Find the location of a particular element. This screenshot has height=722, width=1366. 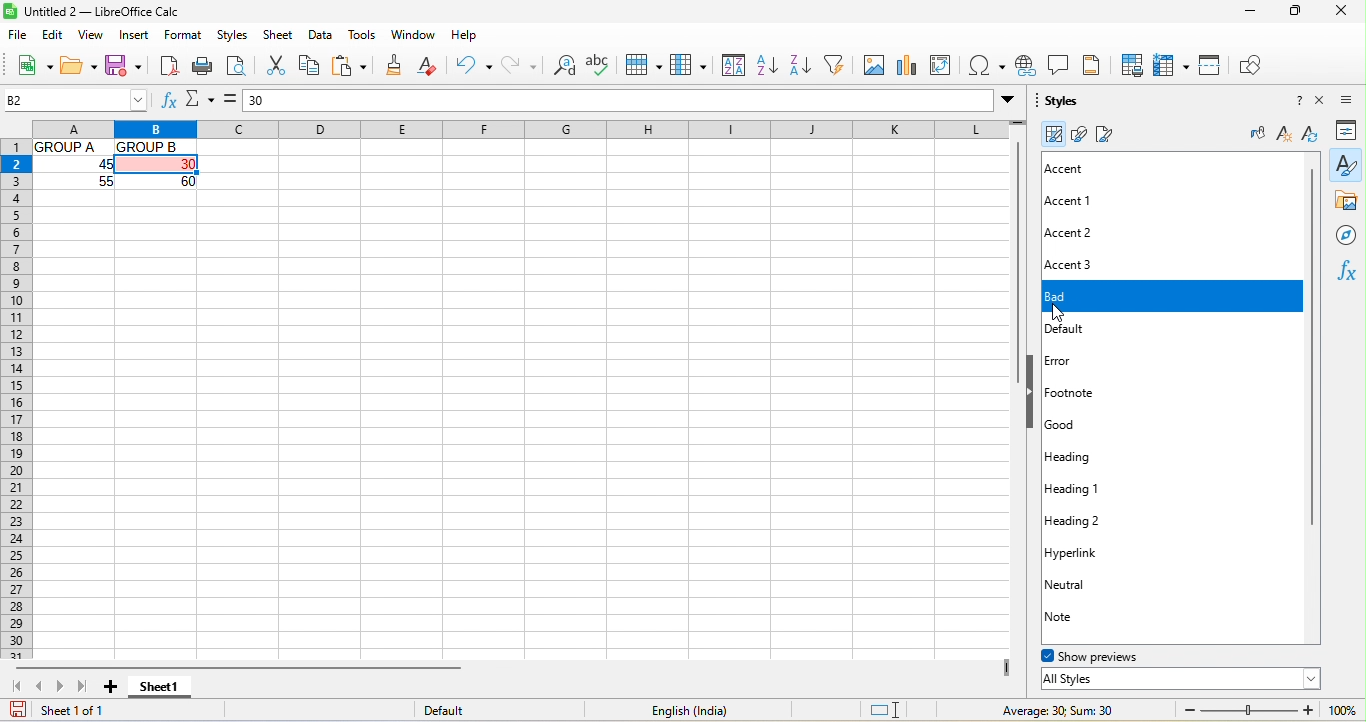

special character is located at coordinates (986, 65).